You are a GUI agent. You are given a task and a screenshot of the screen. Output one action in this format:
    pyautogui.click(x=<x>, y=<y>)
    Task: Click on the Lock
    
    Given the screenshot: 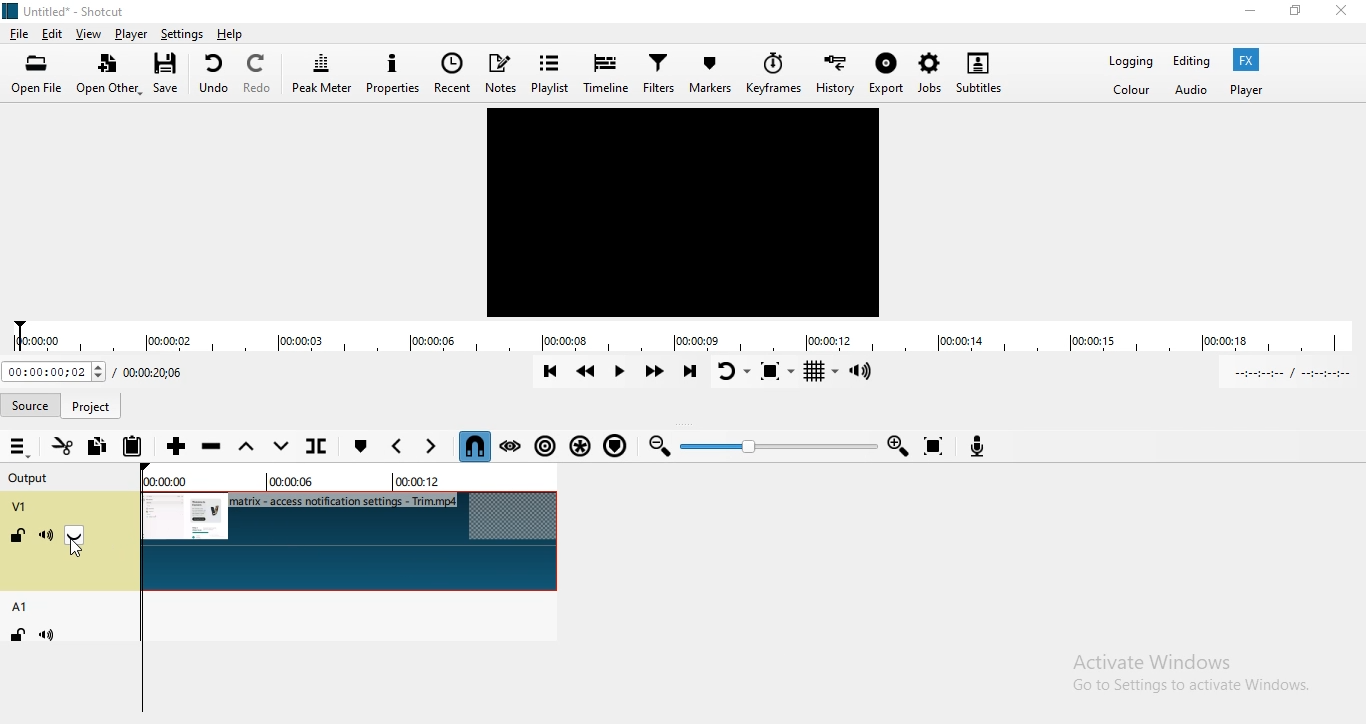 What is the action you would take?
    pyautogui.click(x=19, y=538)
    